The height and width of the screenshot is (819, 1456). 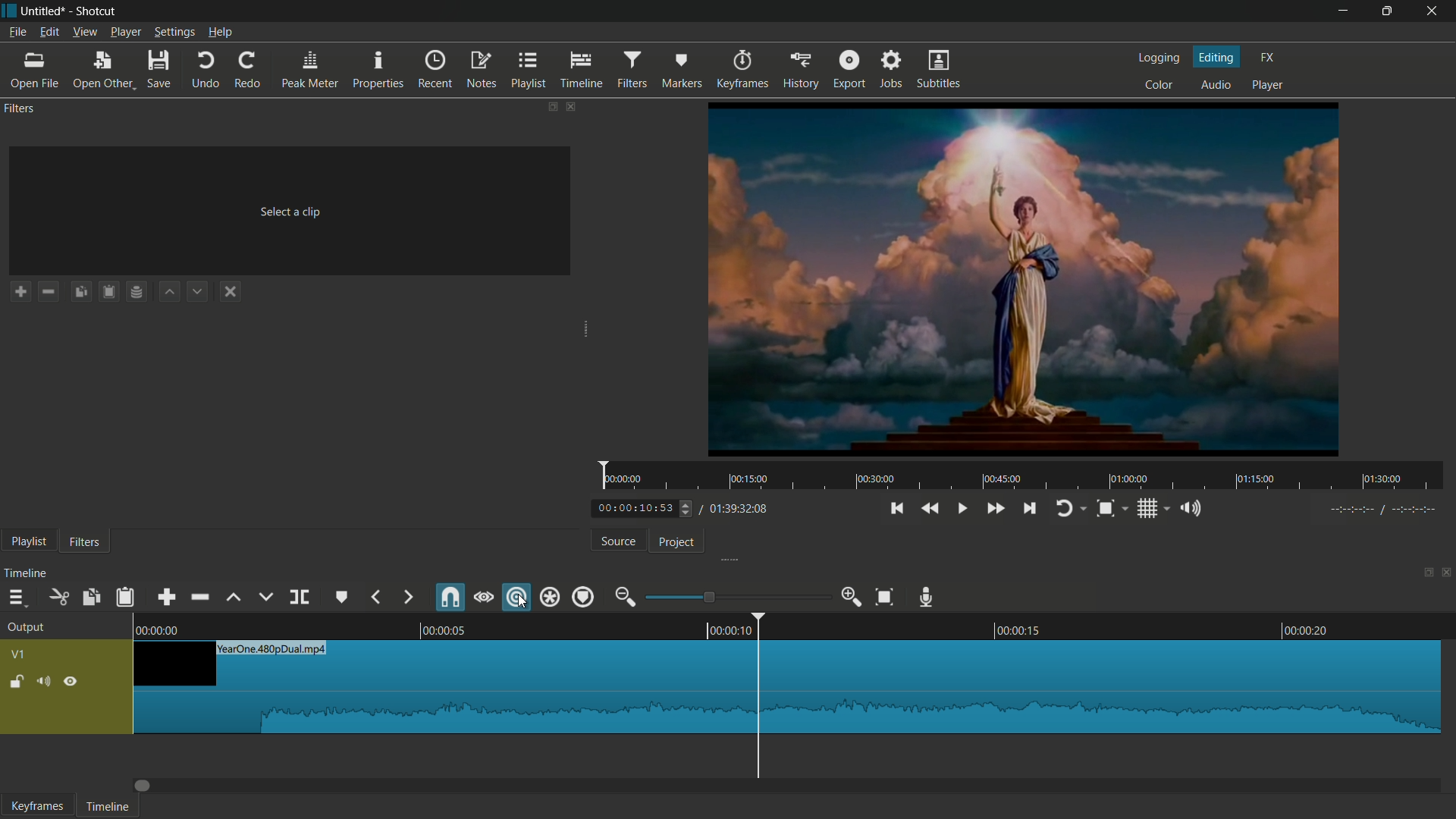 I want to click on help menu, so click(x=220, y=32).